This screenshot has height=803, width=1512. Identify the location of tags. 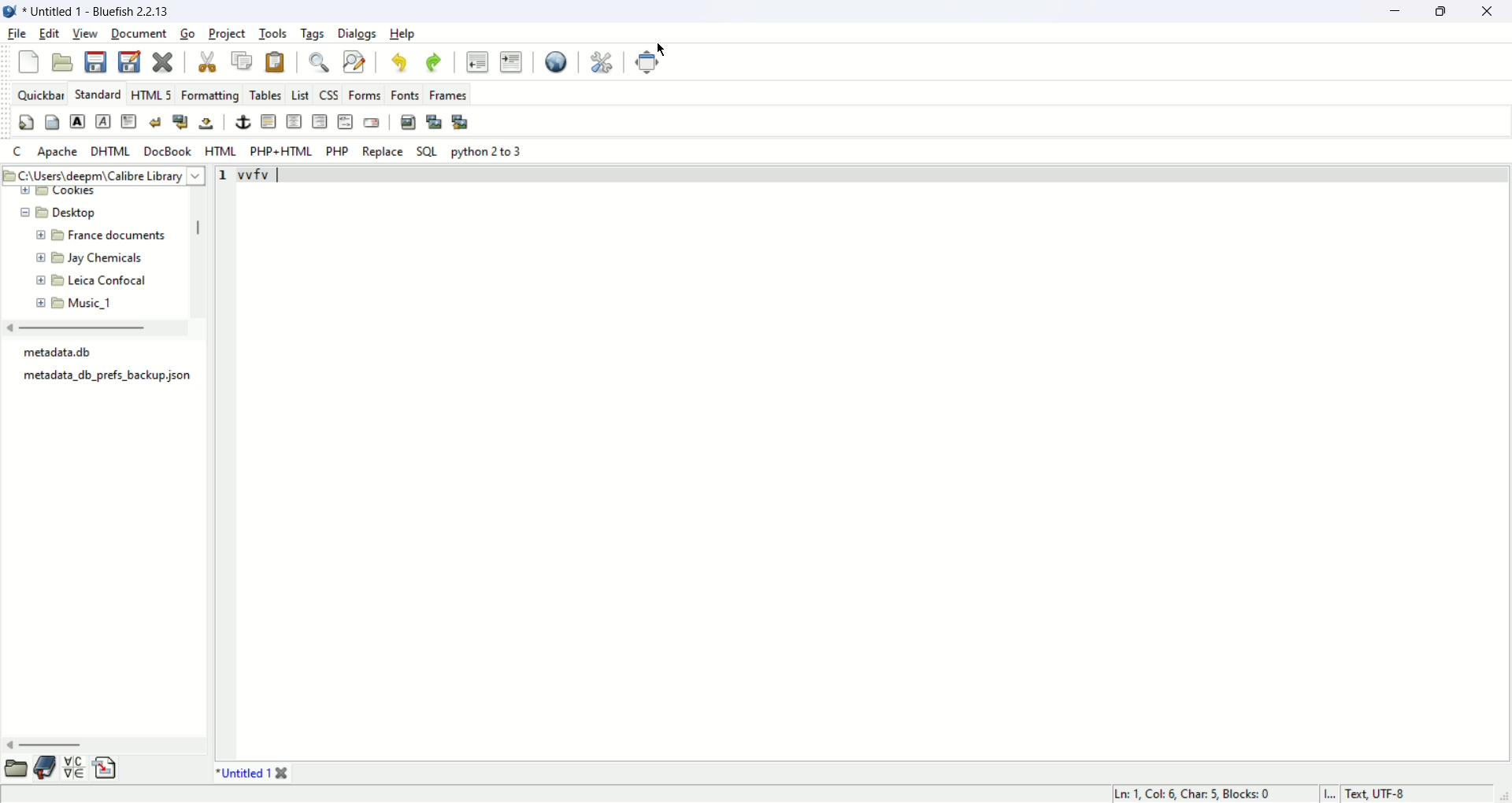
(310, 33).